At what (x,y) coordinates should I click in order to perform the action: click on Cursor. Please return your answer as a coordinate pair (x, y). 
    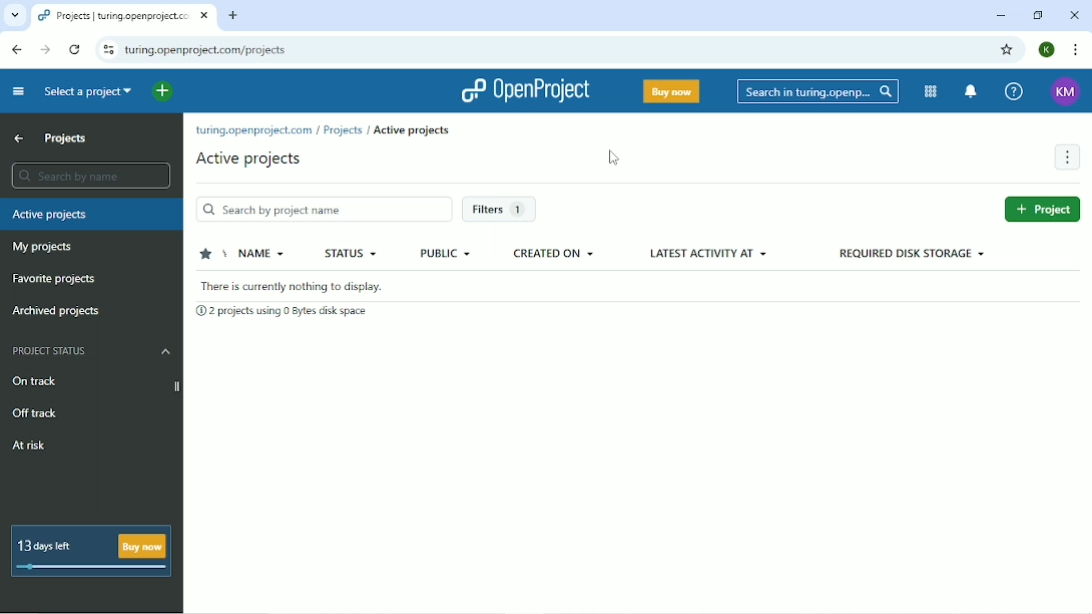
    Looking at the image, I should click on (612, 159).